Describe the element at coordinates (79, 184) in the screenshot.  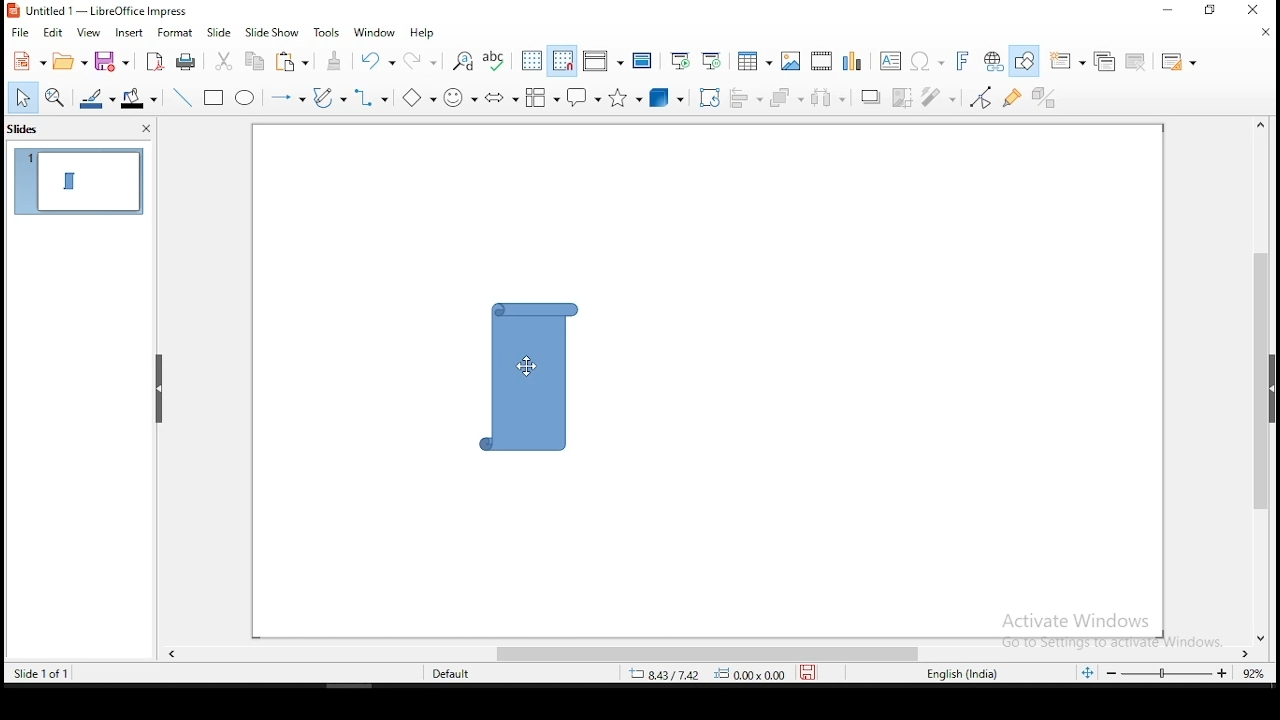
I see `slide 1` at that location.